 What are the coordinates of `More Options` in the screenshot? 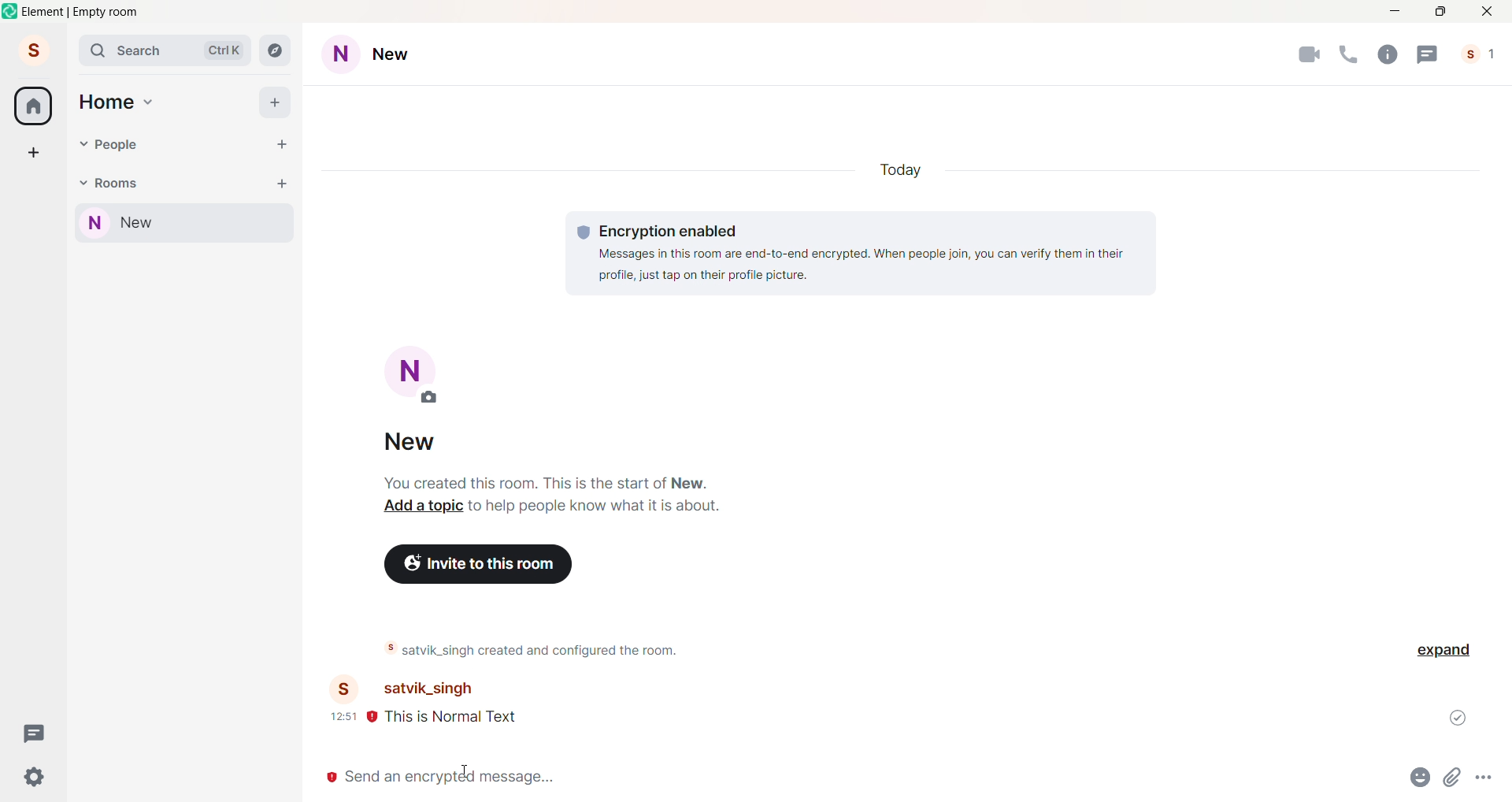 It's located at (1487, 778).